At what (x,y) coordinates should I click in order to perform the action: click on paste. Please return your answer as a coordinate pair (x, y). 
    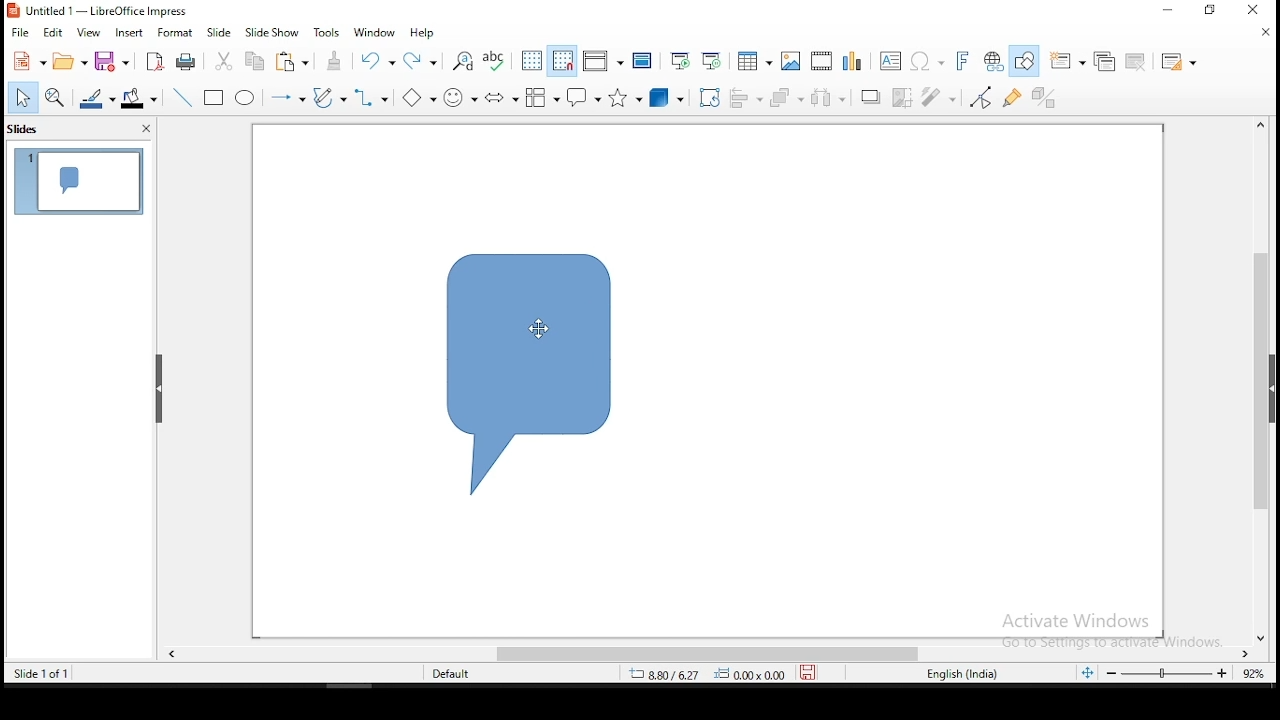
    Looking at the image, I should click on (293, 62).